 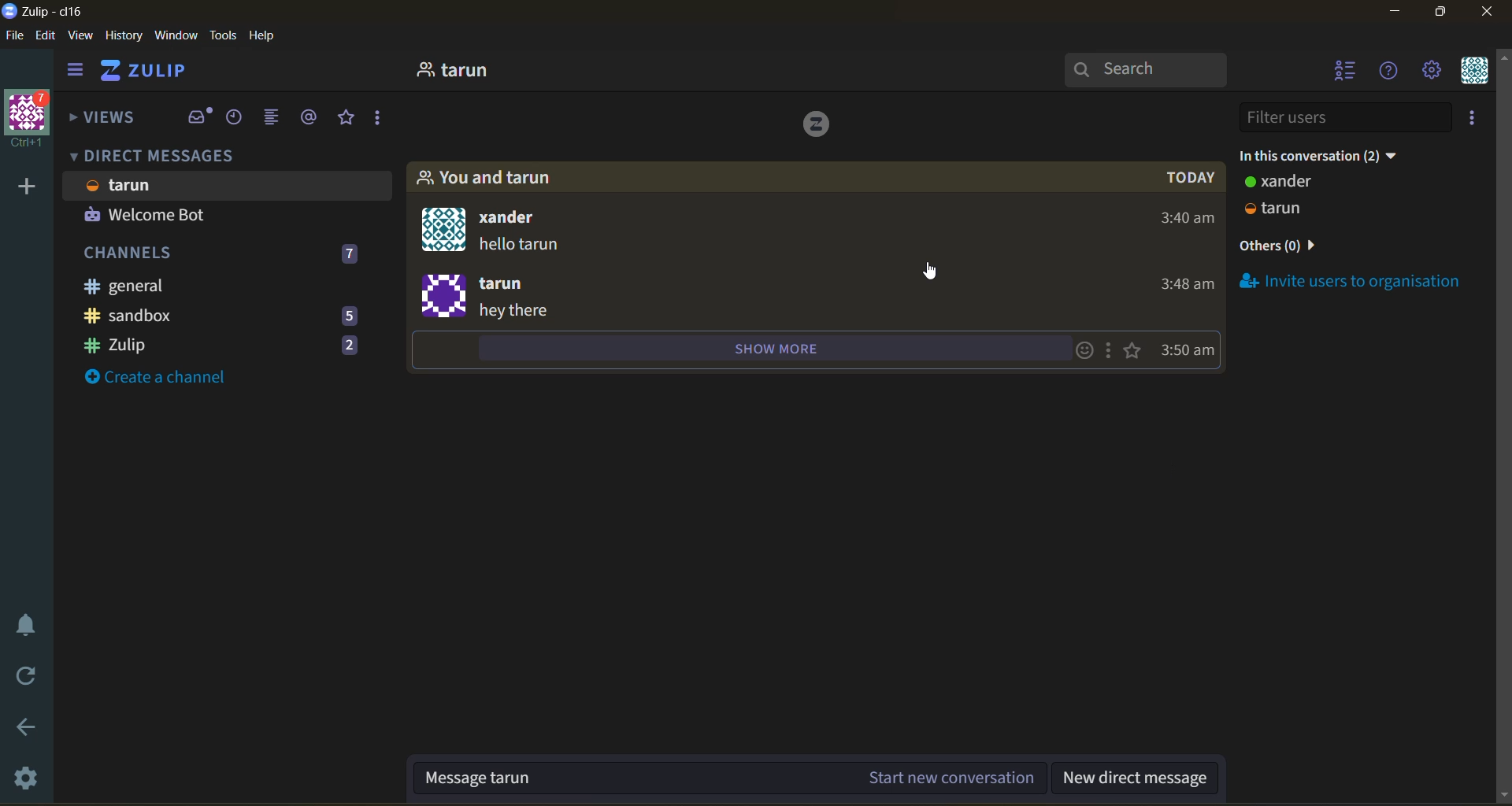 I want to click on message in the current conversation, so click(x=728, y=780).